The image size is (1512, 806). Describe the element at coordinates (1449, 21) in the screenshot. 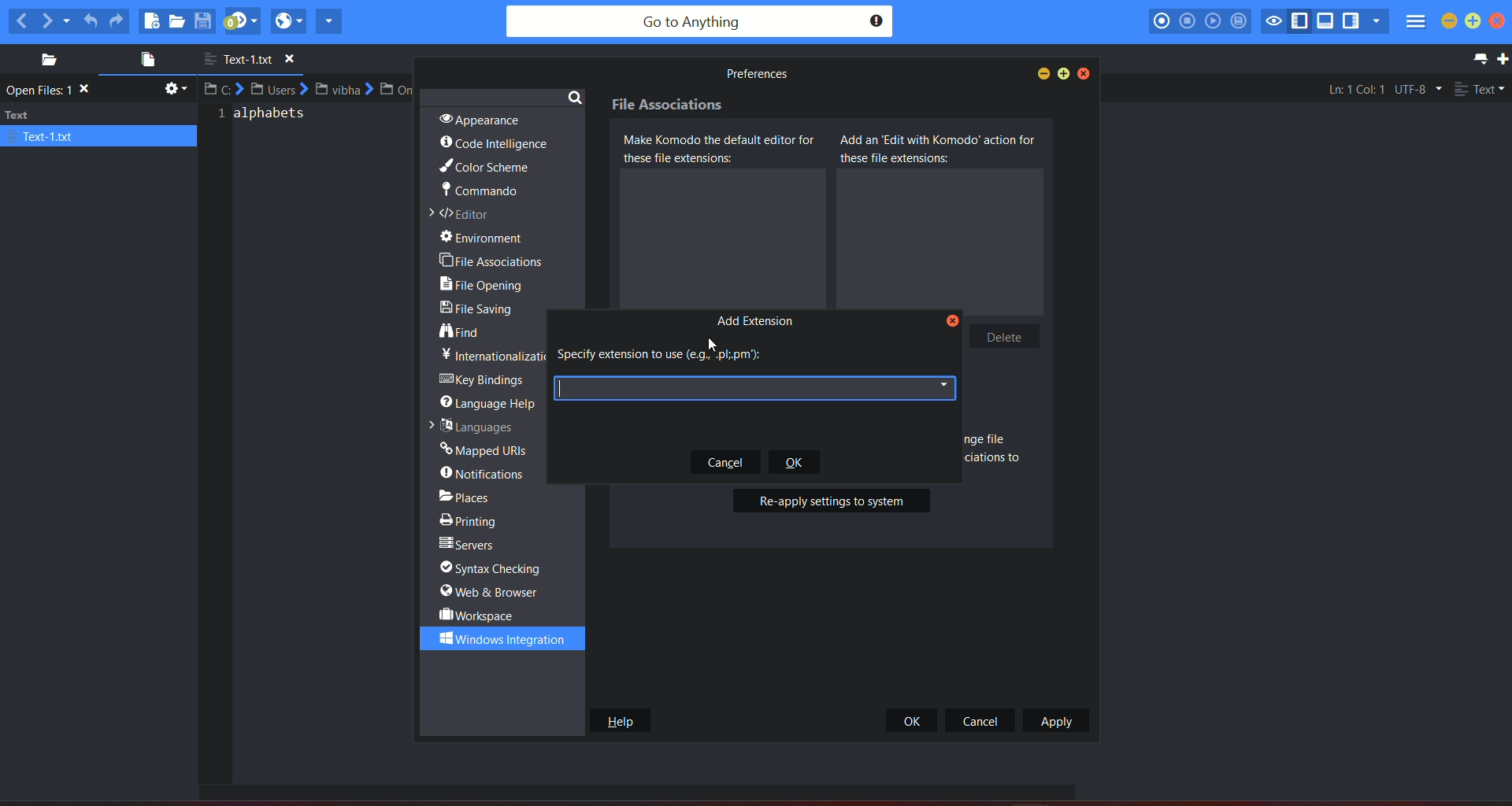

I see `minimize` at that location.